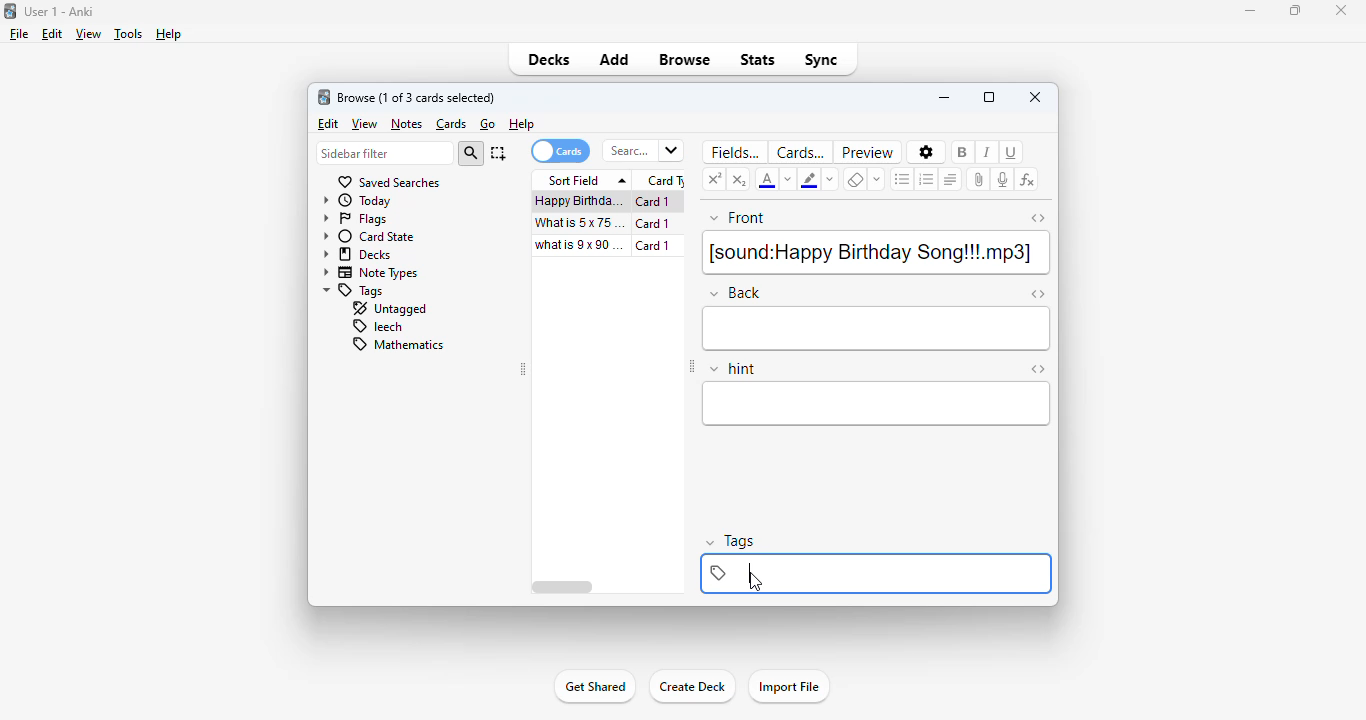 The width and height of the screenshot is (1366, 720). I want to click on text color, so click(768, 179).